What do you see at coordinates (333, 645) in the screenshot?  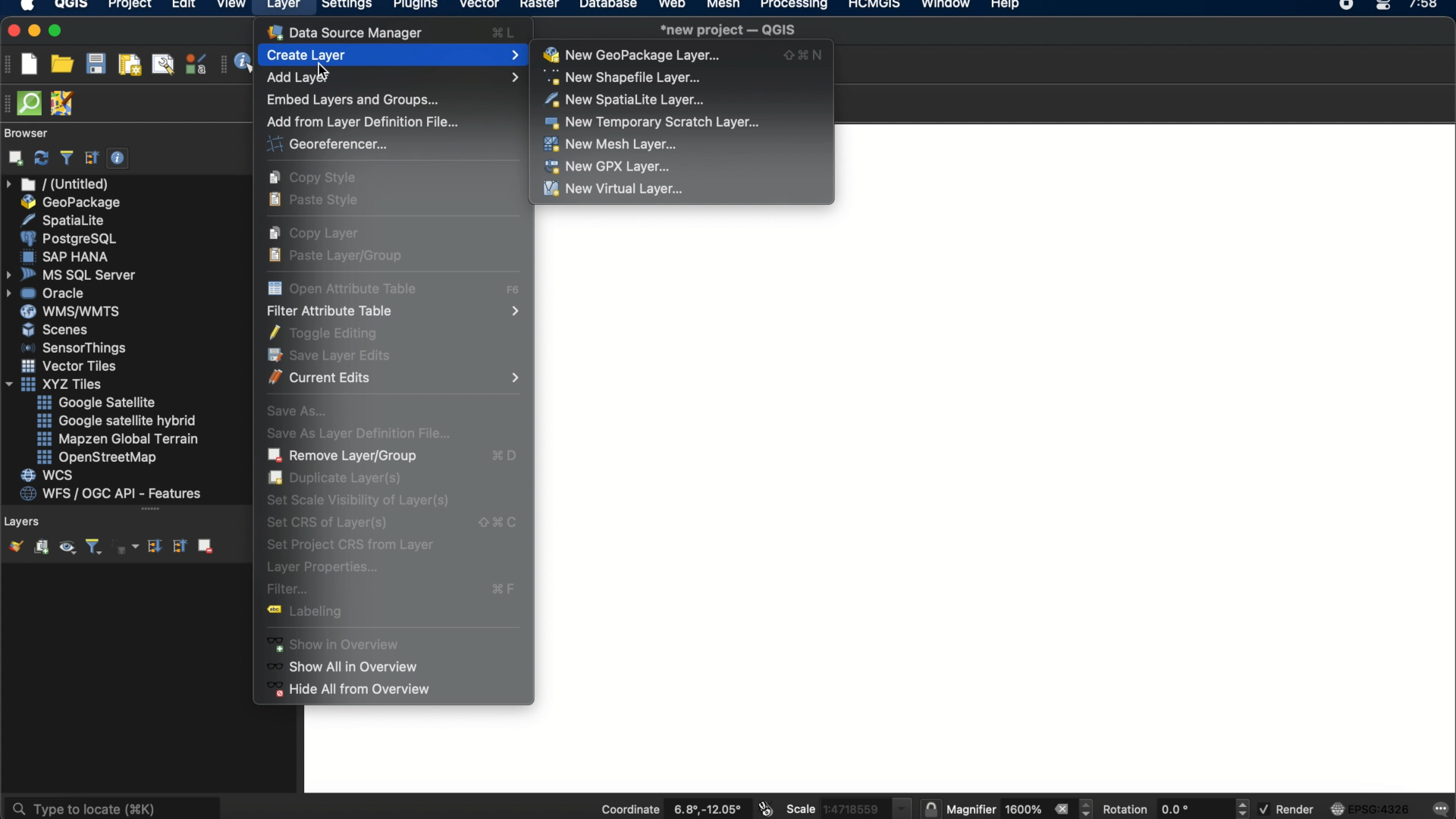 I see `show in overview` at bounding box center [333, 645].